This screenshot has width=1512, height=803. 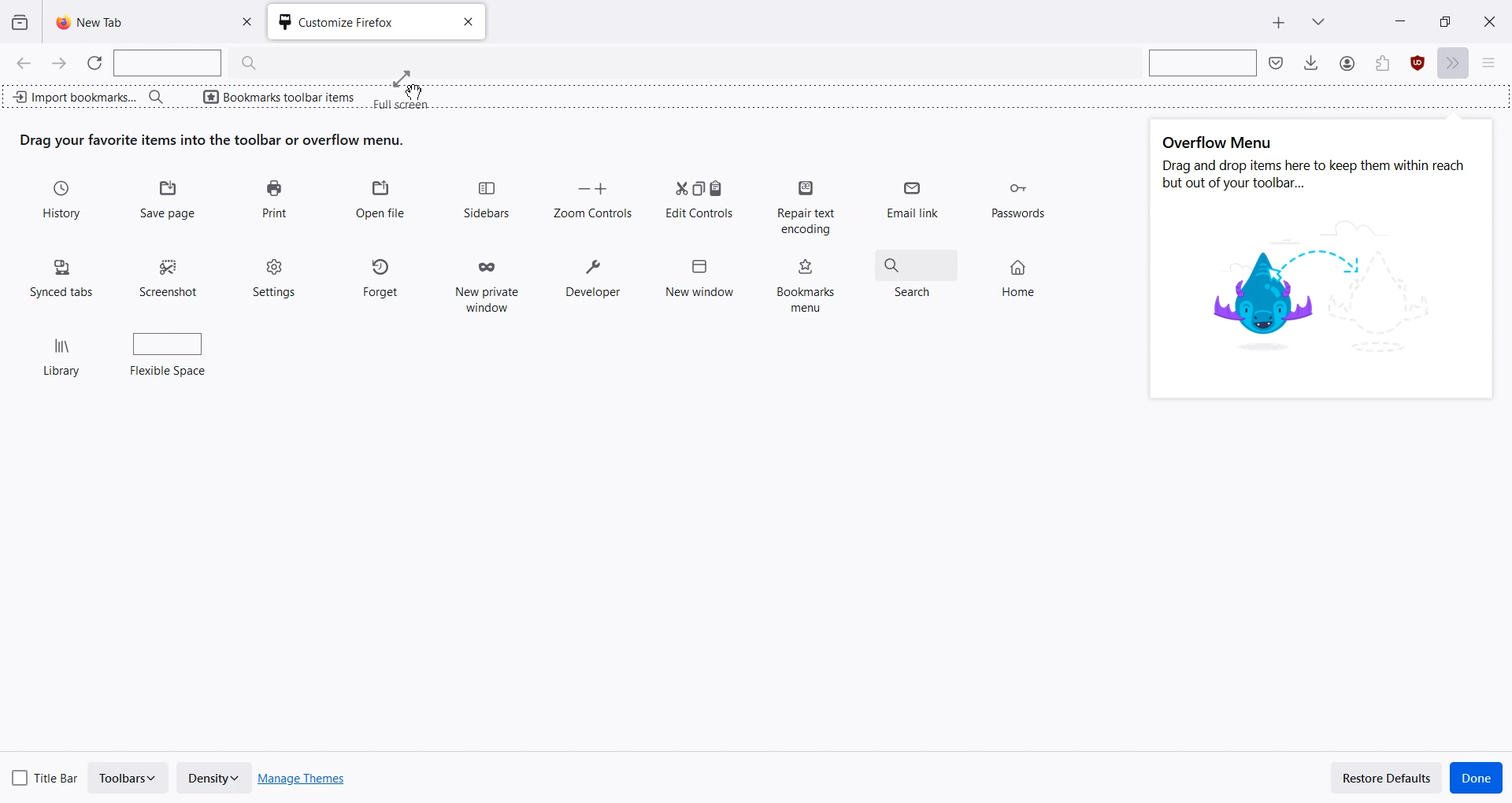 What do you see at coordinates (61, 63) in the screenshot?
I see `Go Forward one page ` at bounding box center [61, 63].